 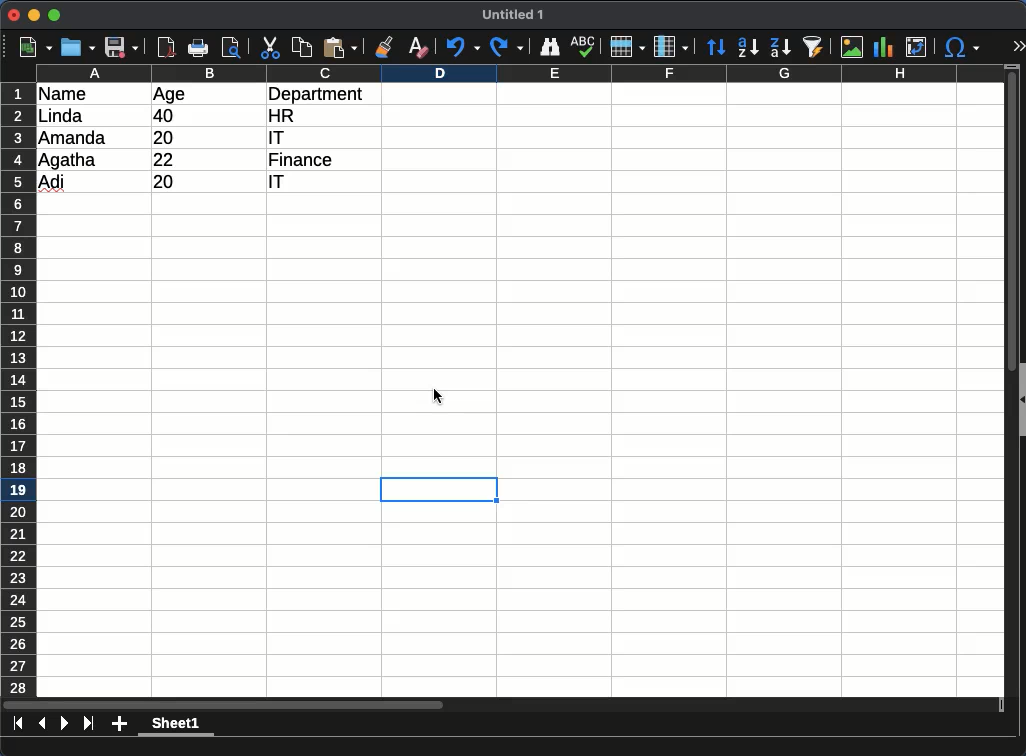 What do you see at coordinates (119, 725) in the screenshot?
I see `add` at bounding box center [119, 725].